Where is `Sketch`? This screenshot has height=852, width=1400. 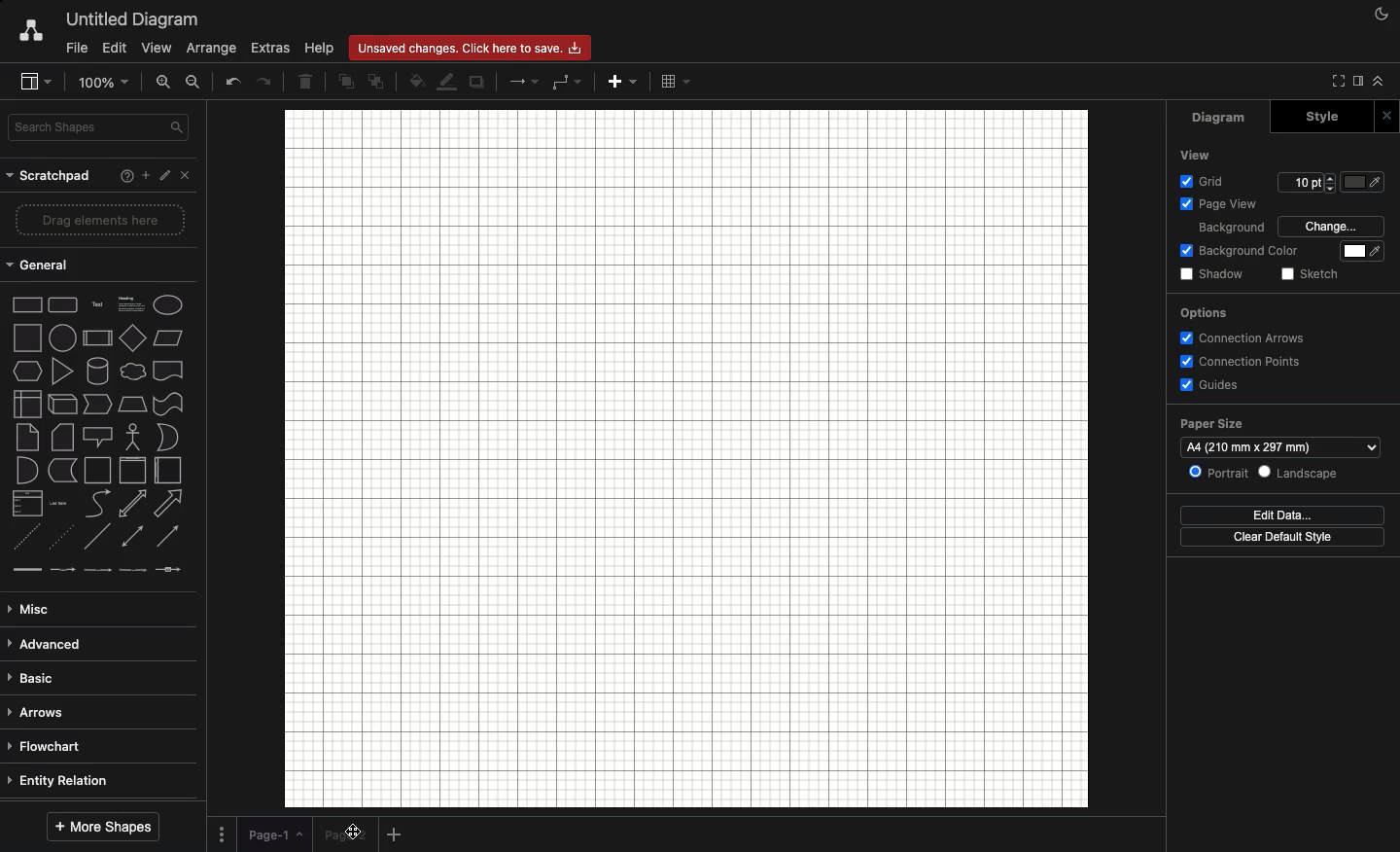 Sketch is located at coordinates (1307, 275).